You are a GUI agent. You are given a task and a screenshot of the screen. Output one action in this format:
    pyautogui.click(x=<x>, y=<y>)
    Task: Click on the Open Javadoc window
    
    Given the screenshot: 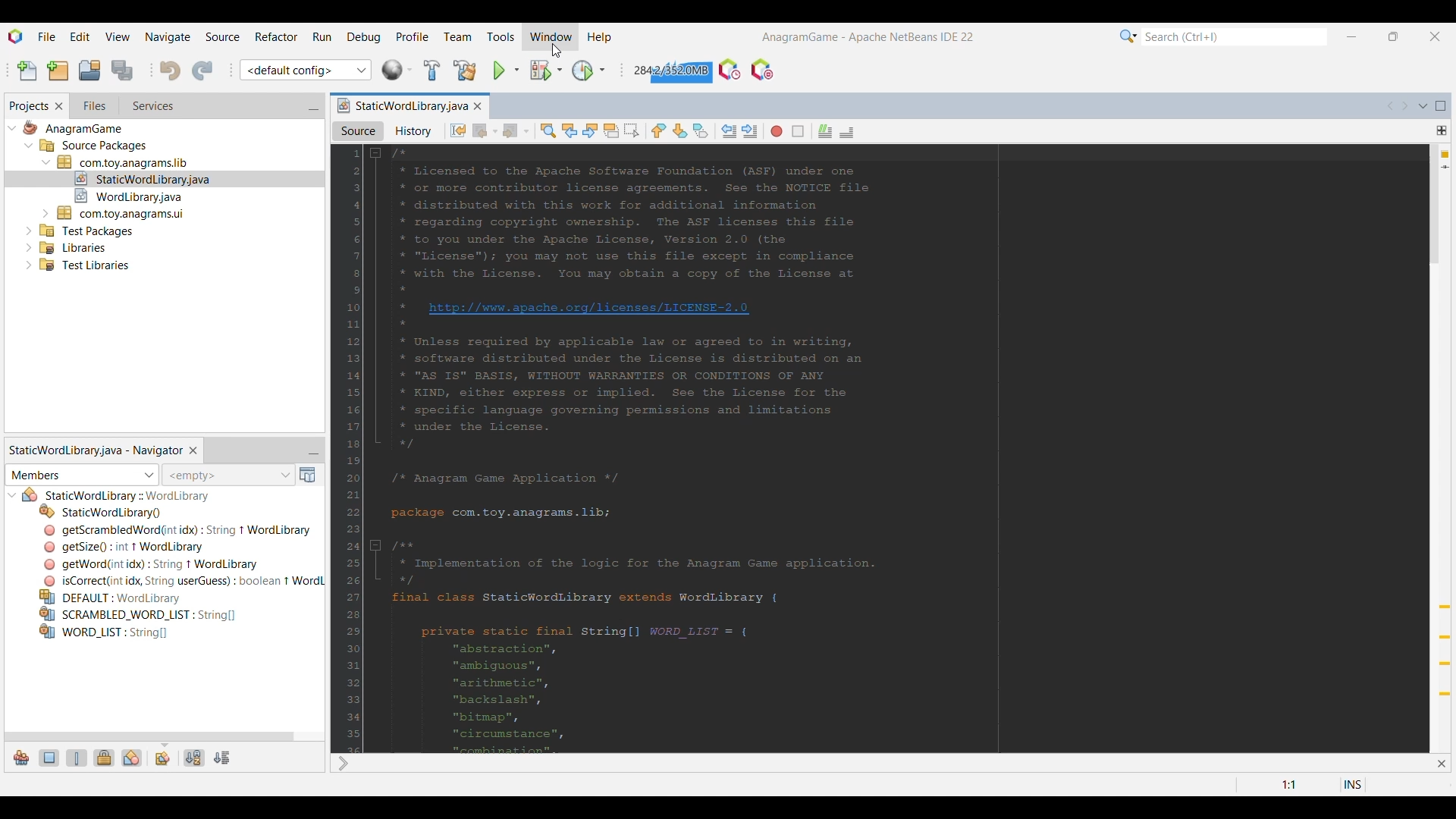 What is the action you would take?
    pyautogui.click(x=308, y=475)
    